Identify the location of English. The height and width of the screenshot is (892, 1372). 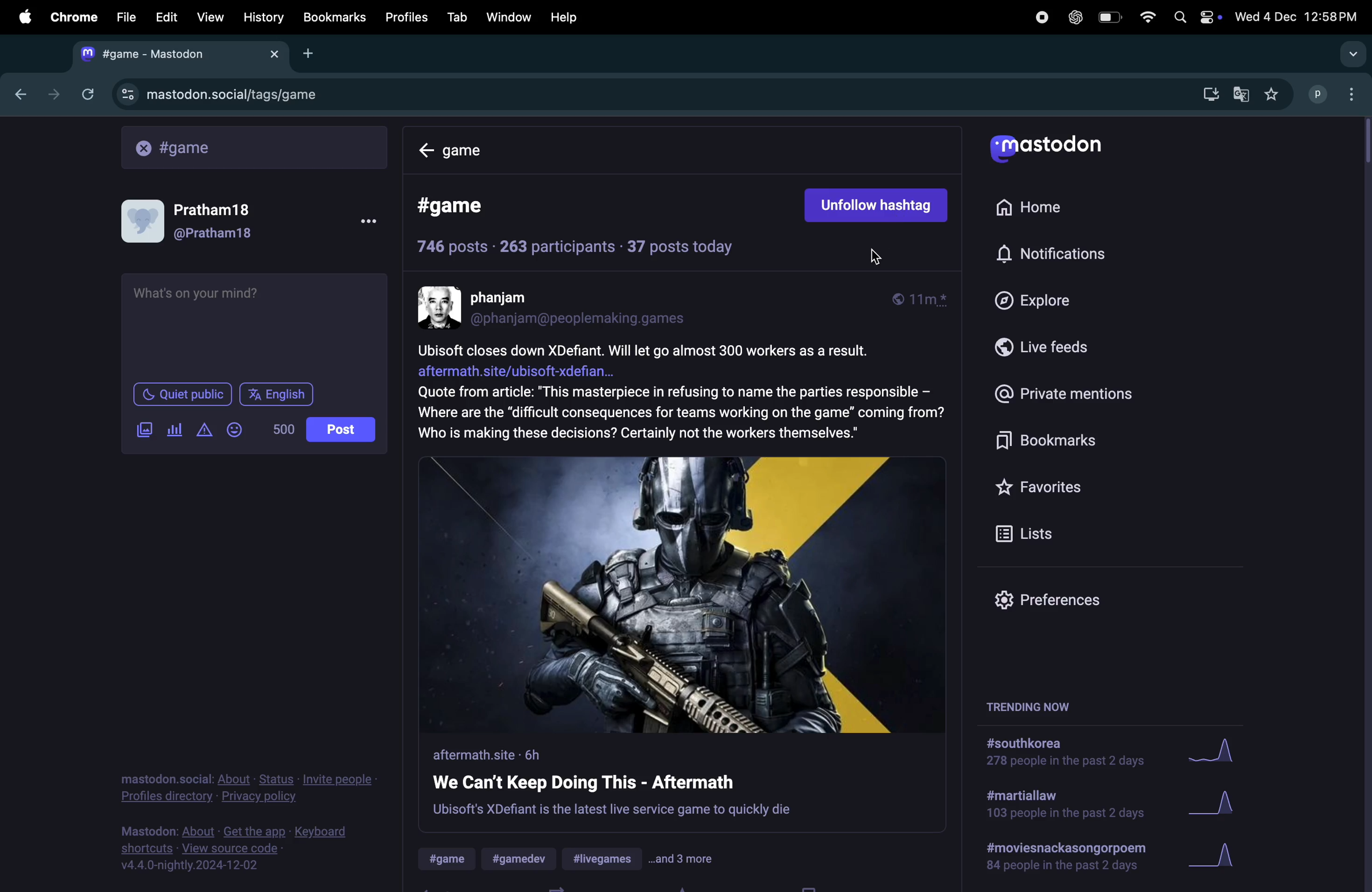
(277, 393).